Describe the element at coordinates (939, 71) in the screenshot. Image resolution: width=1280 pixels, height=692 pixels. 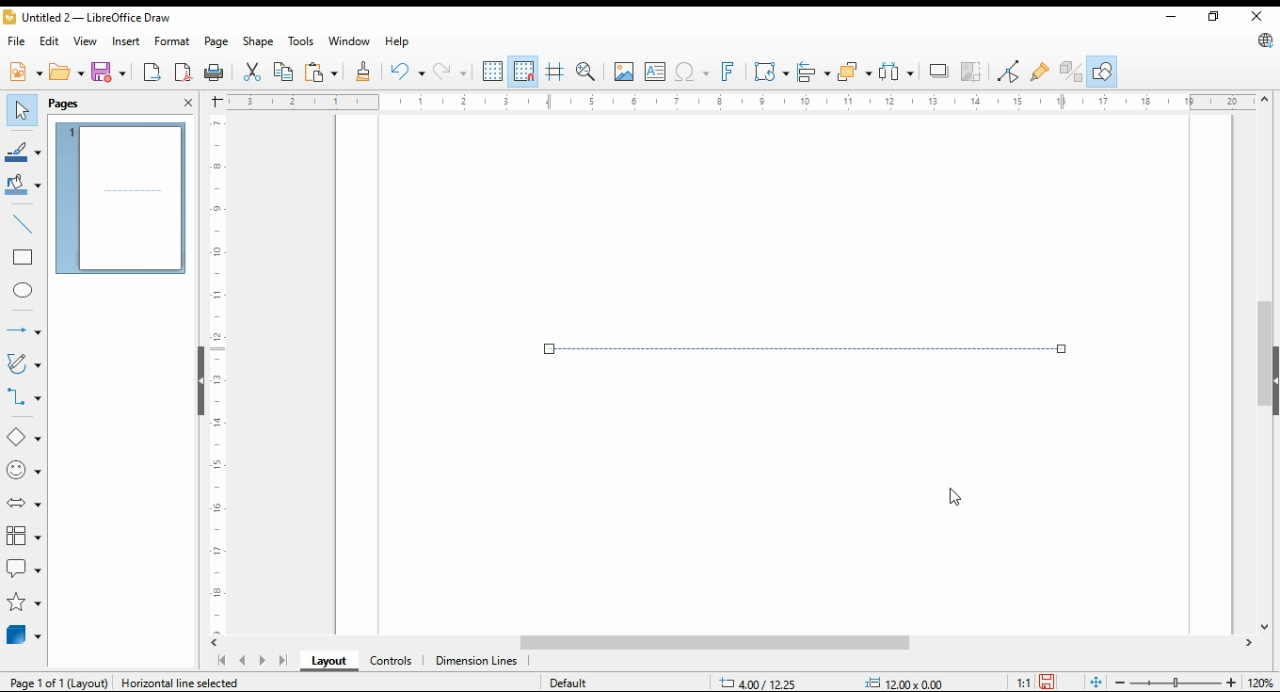
I see `shadow` at that location.